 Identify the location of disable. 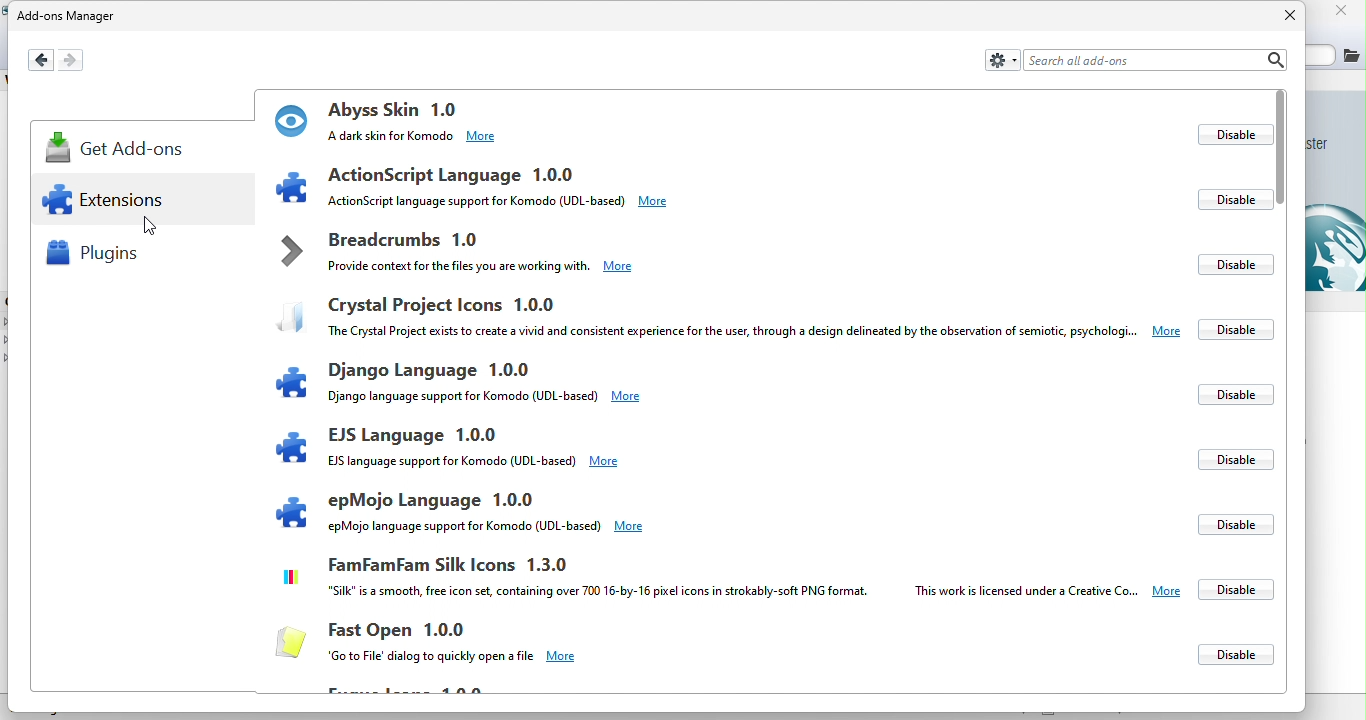
(1229, 520).